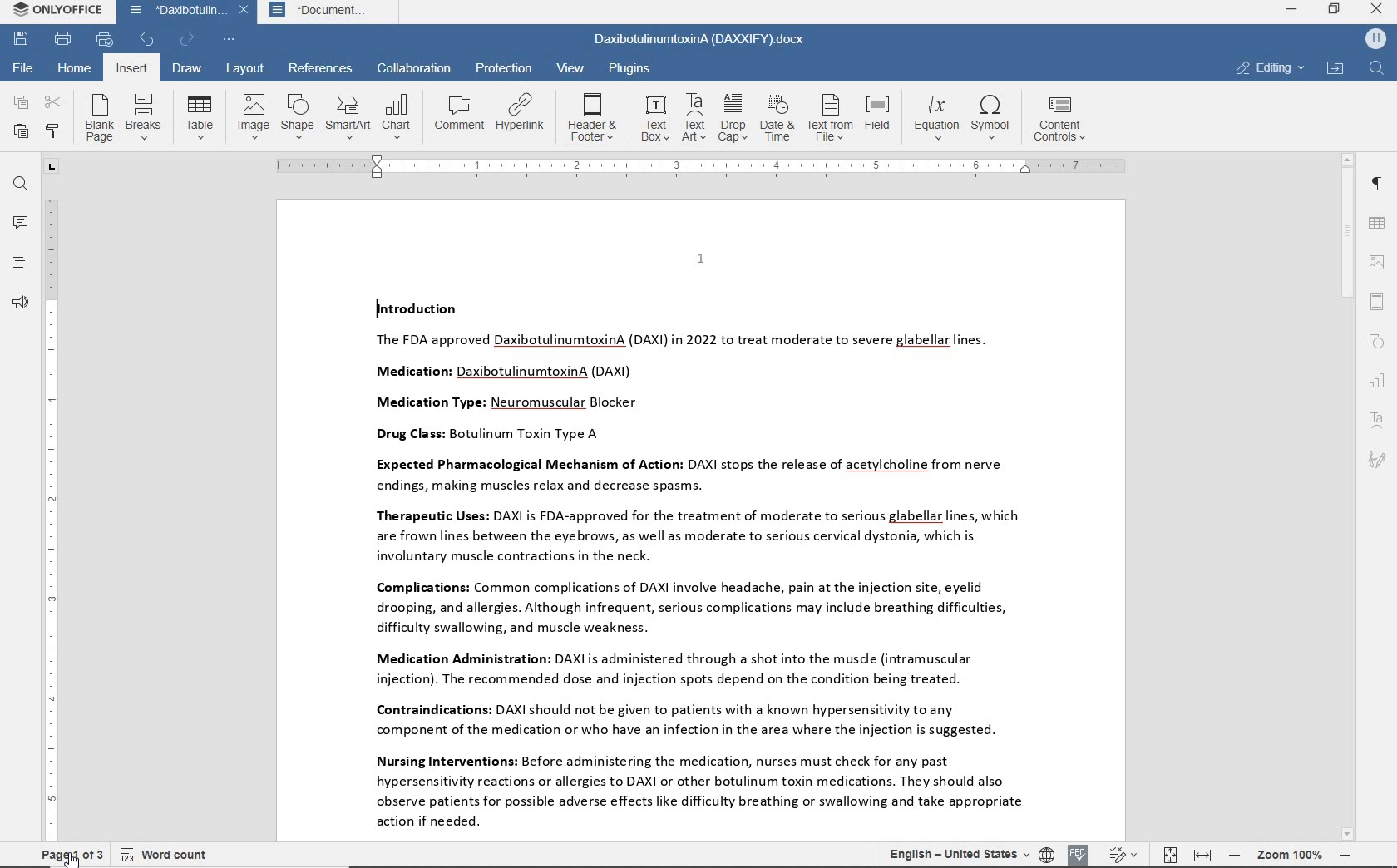 The height and width of the screenshot is (868, 1397). I want to click on blank page, so click(98, 118).